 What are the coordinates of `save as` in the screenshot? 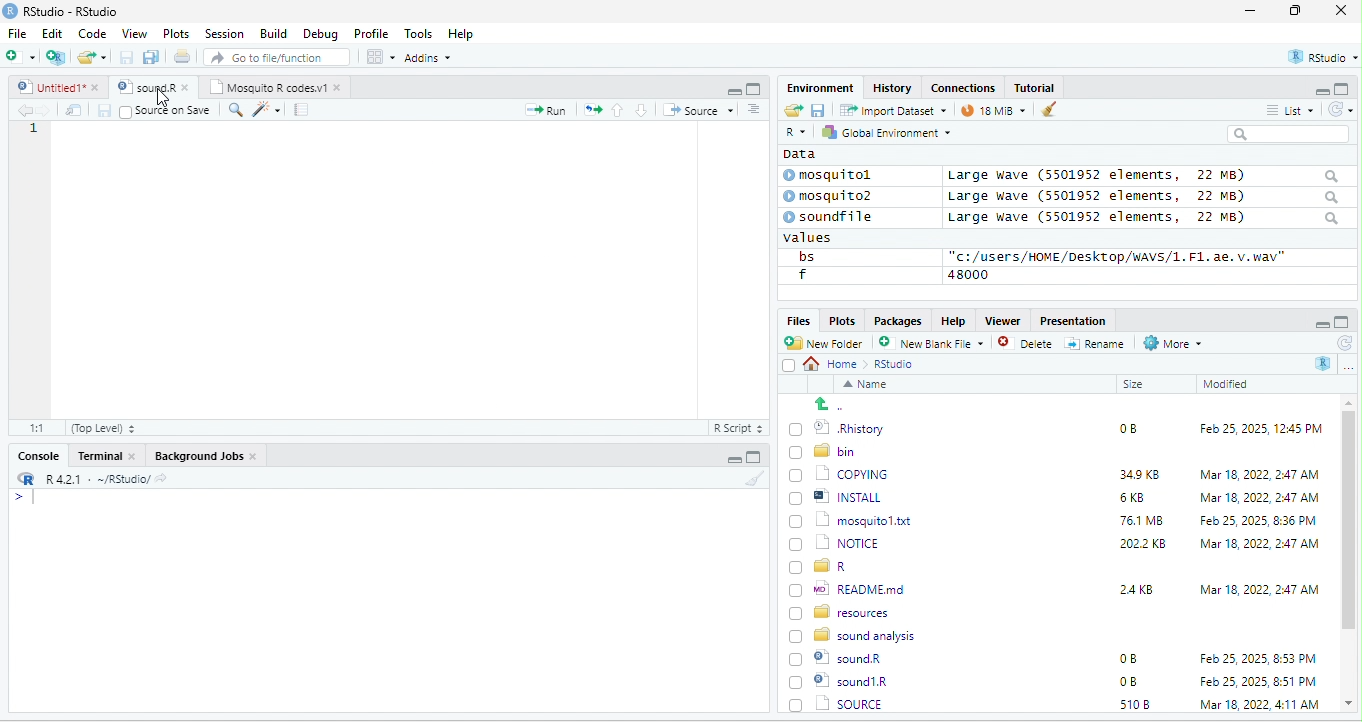 It's located at (153, 58).